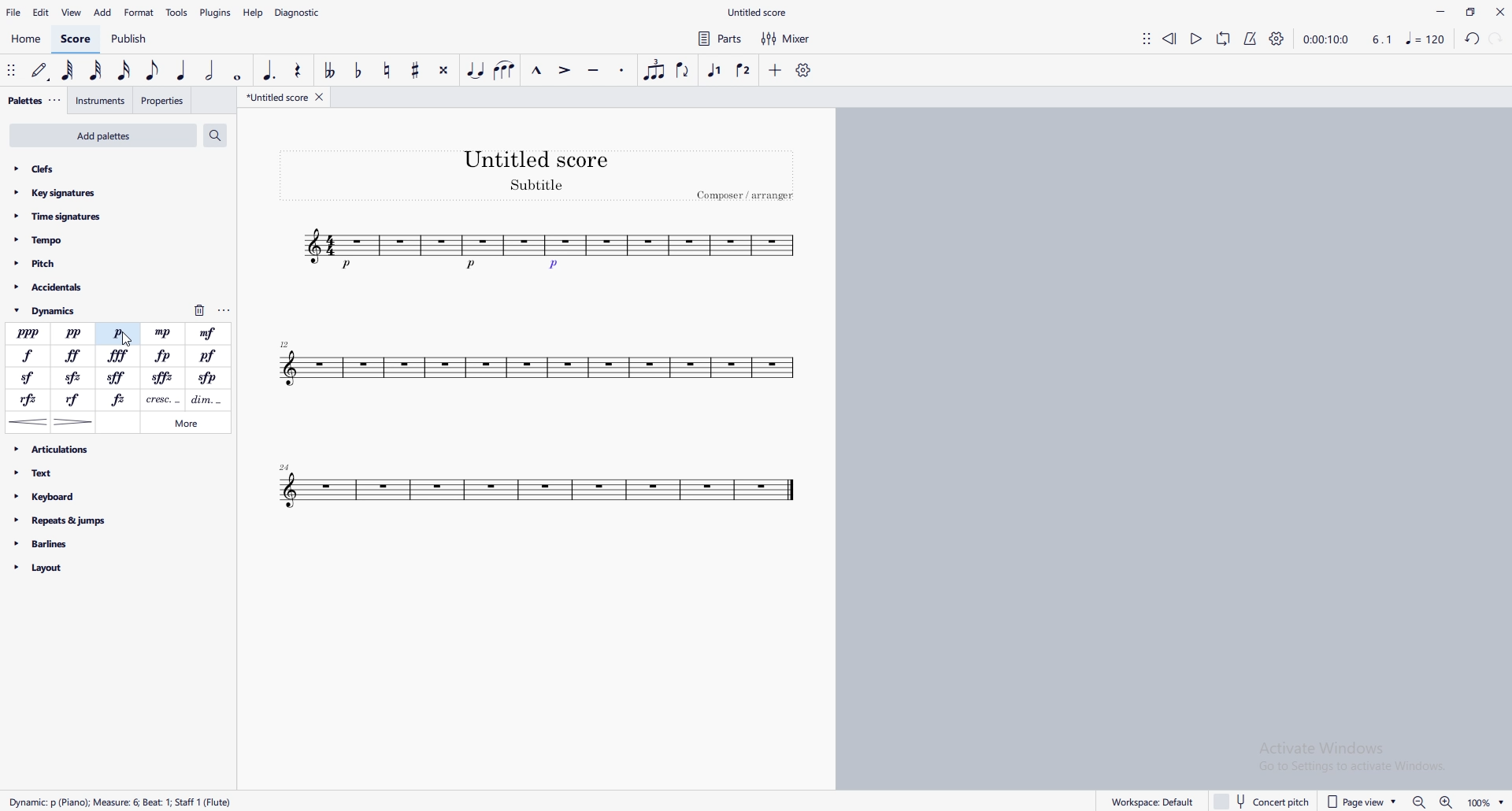 This screenshot has height=811, width=1512. What do you see at coordinates (72, 13) in the screenshot?
I see `view` at bounding box center [72, 13].